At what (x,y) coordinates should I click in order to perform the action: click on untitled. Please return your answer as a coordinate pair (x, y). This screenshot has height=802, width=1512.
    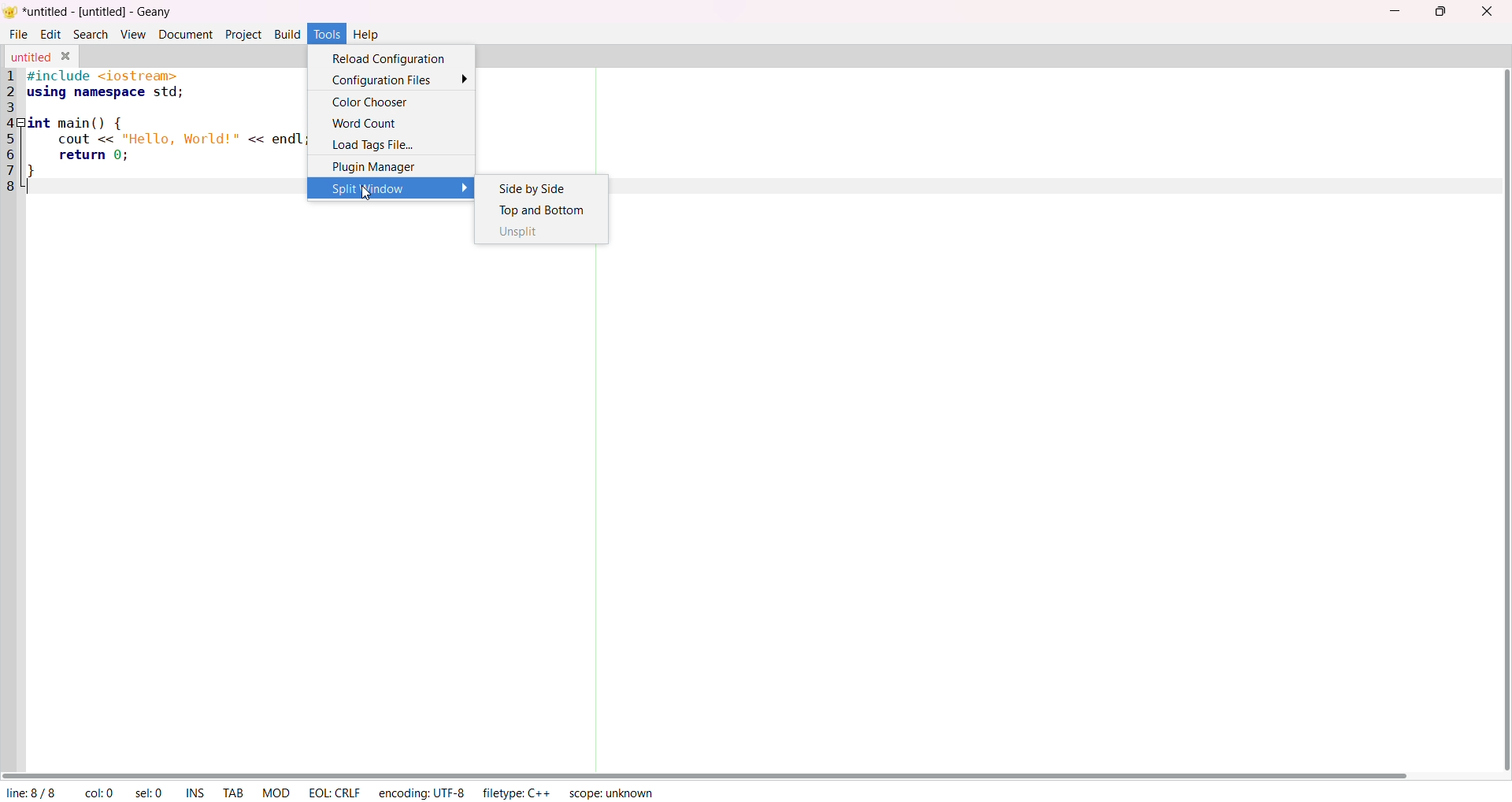
    Looking at the image, I should click on (30, 58).